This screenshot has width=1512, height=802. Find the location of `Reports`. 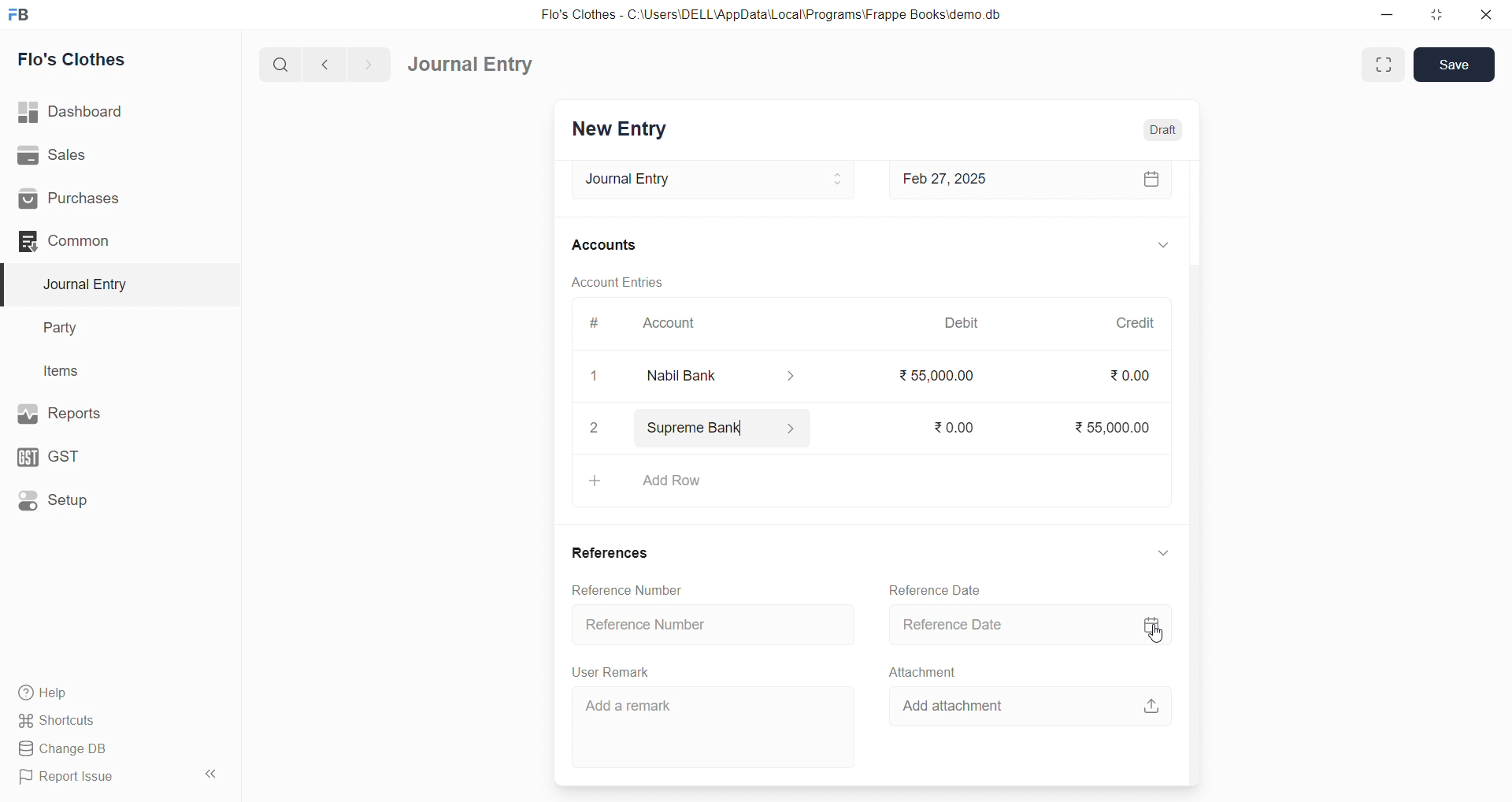

Reports is located at coordinates (93, 414).